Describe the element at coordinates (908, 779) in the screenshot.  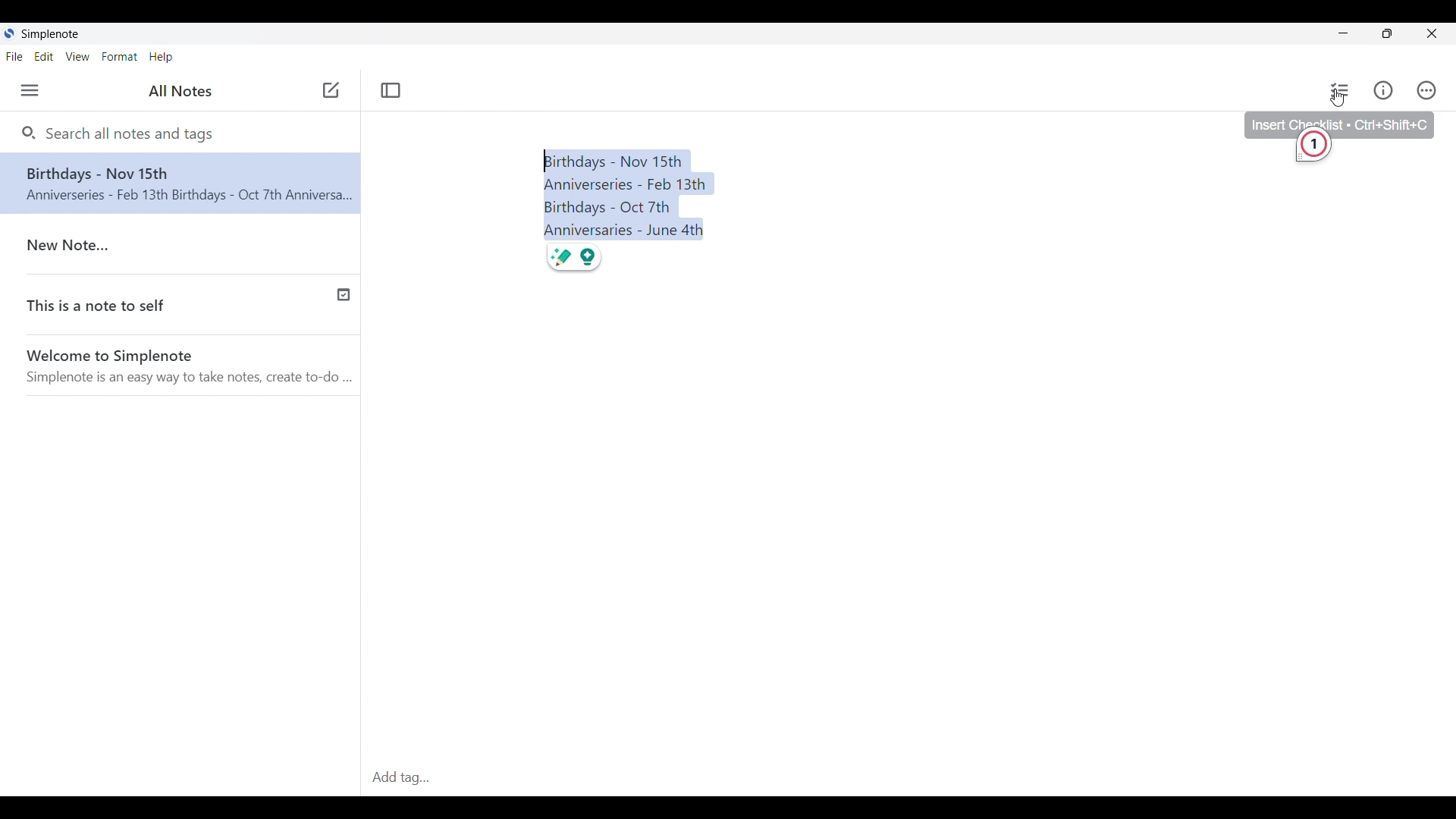
I see `Add Tag(Click to type in tag)` at that location.